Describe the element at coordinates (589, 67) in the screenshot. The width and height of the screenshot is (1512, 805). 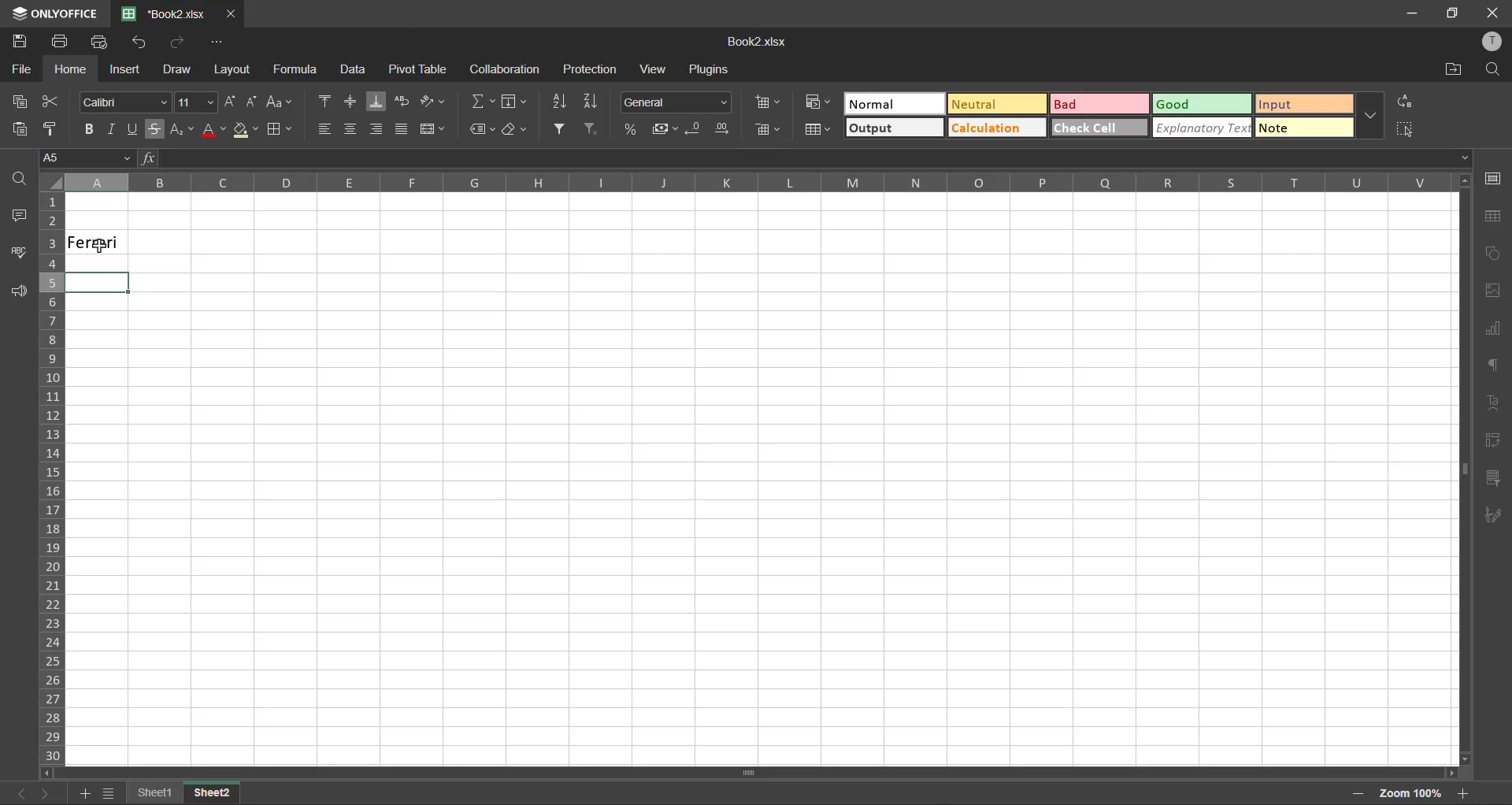
I see `protection` at that location.